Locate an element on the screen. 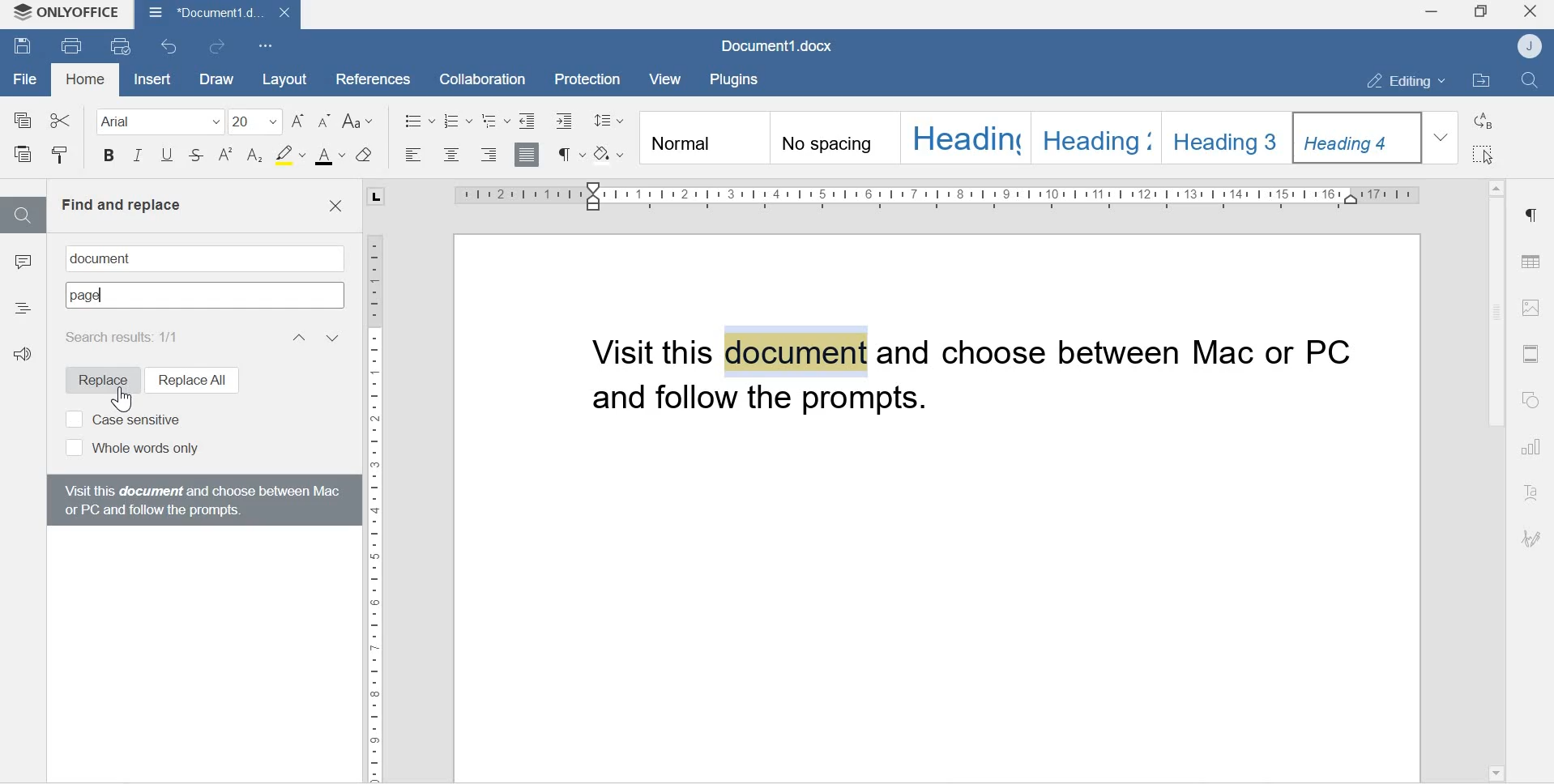 The image size is (1554, 784). Insert is located at coordinates (150, 79).